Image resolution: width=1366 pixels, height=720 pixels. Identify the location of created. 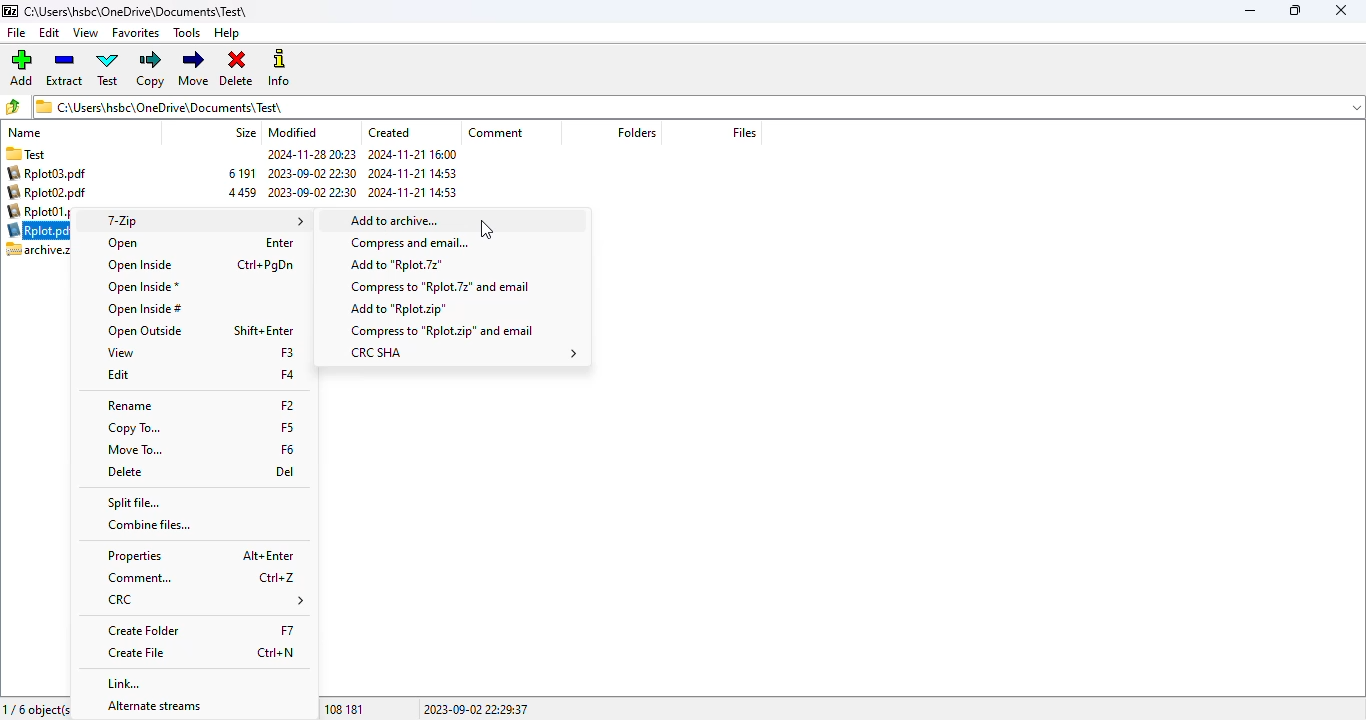
(391, 132).